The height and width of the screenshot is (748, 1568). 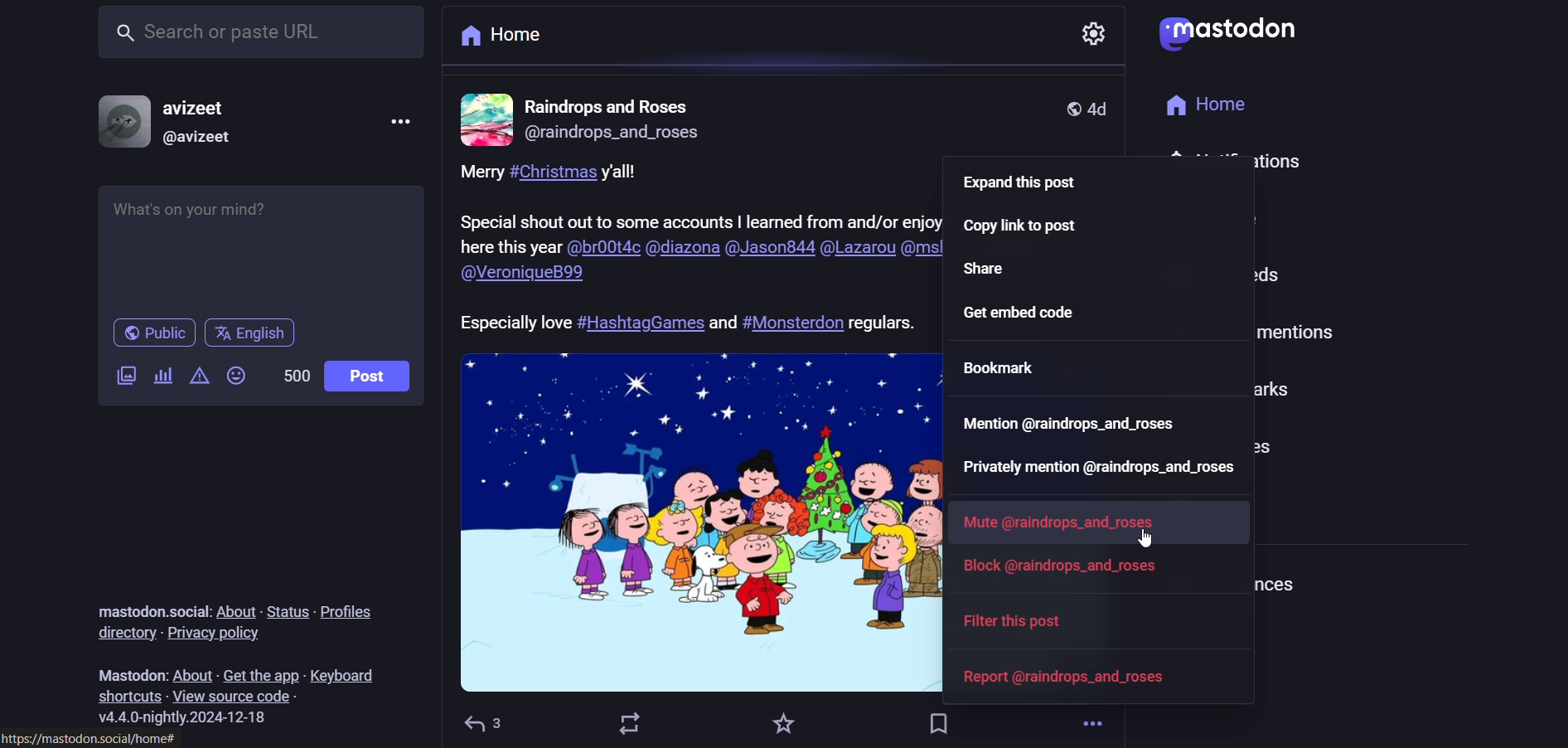 What do you see at coordinates (501, 36) in the screenshot?
I see `home` at bounding box center [501, 36].